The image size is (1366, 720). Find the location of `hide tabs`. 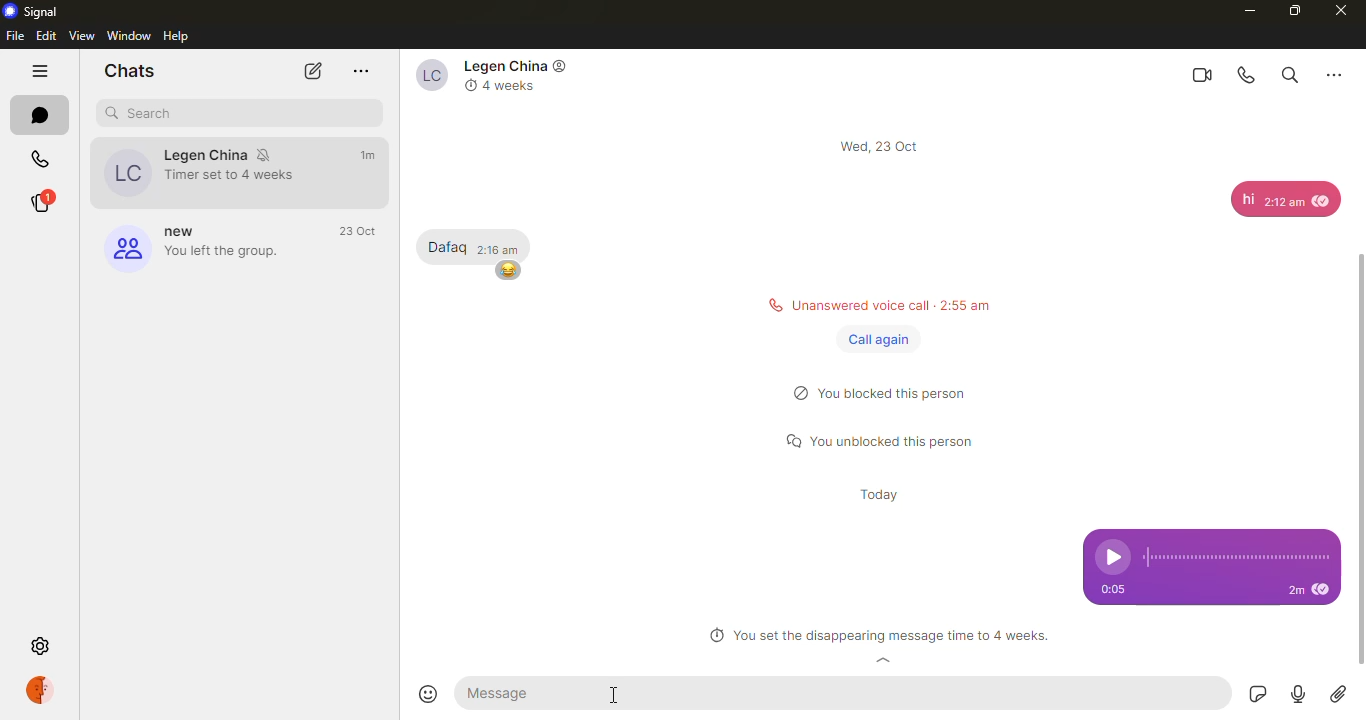

hide tabs is located at coordinates (40, 73).